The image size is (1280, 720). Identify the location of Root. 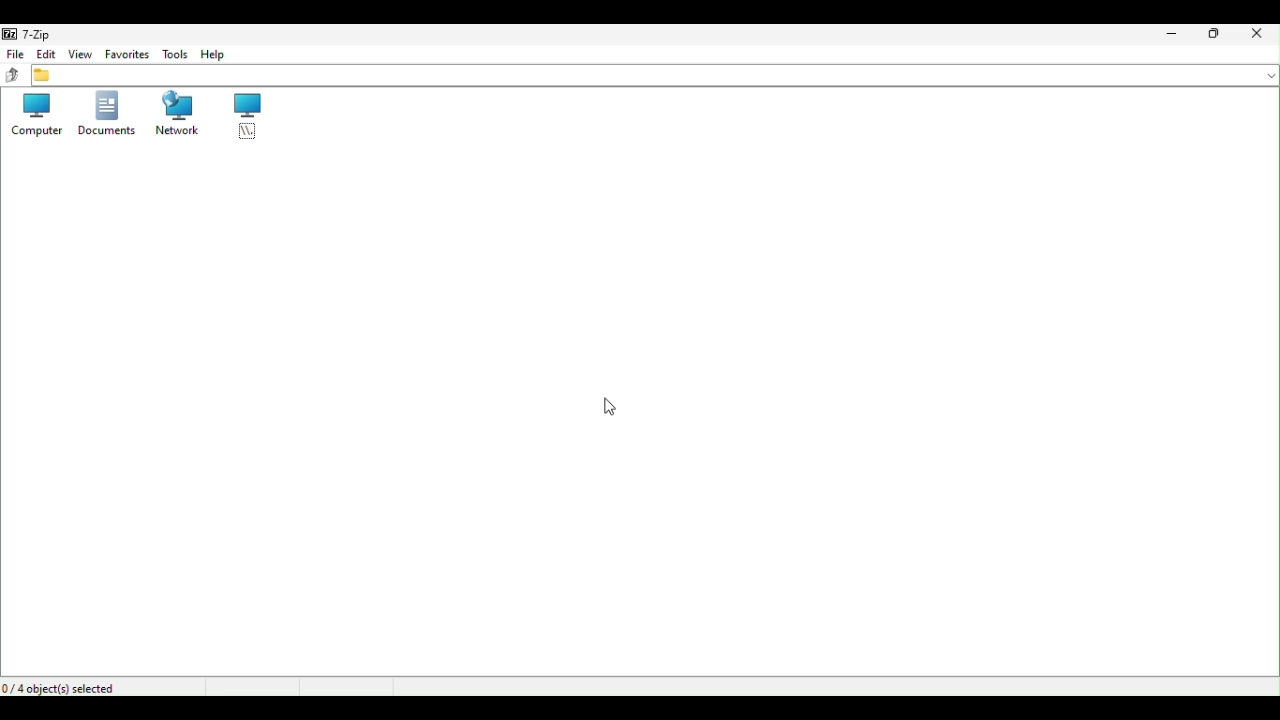
(247, 117).